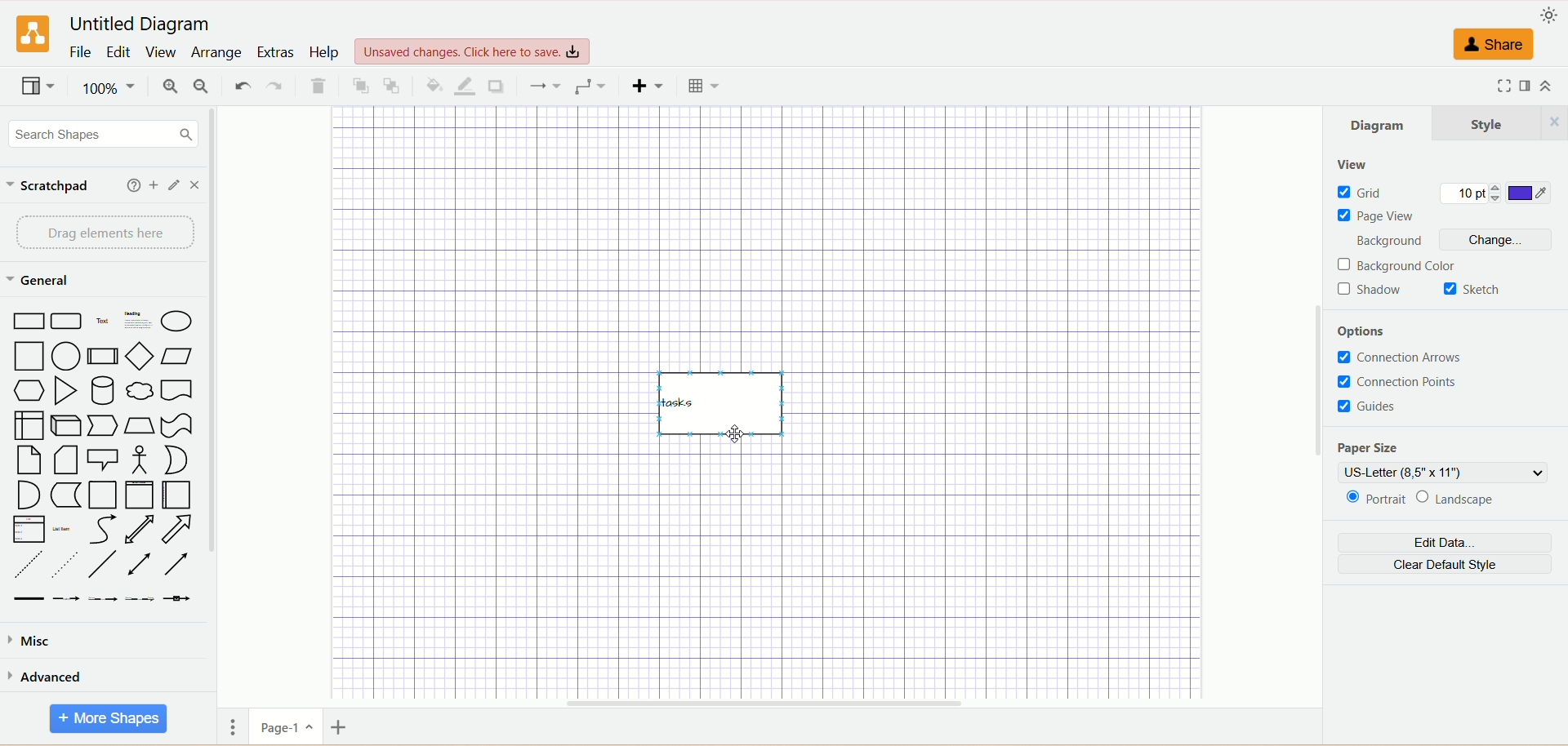 The height and width of the screenshot is (746, 1568). Describe the element at coordinates (34, 33) in the screenshot. I see `logo` at that location.